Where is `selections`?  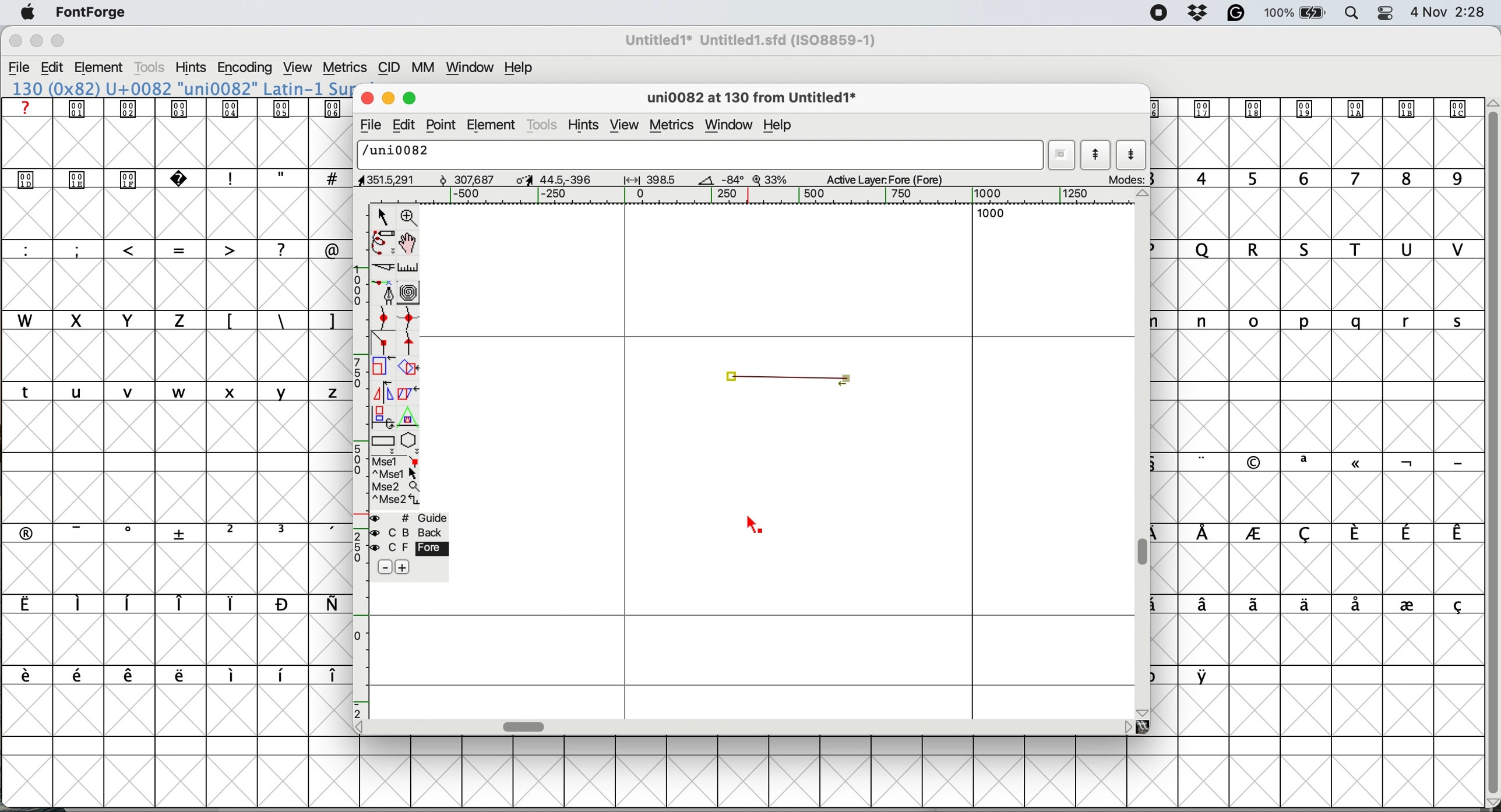
selections is located at coordinates (397, 482).